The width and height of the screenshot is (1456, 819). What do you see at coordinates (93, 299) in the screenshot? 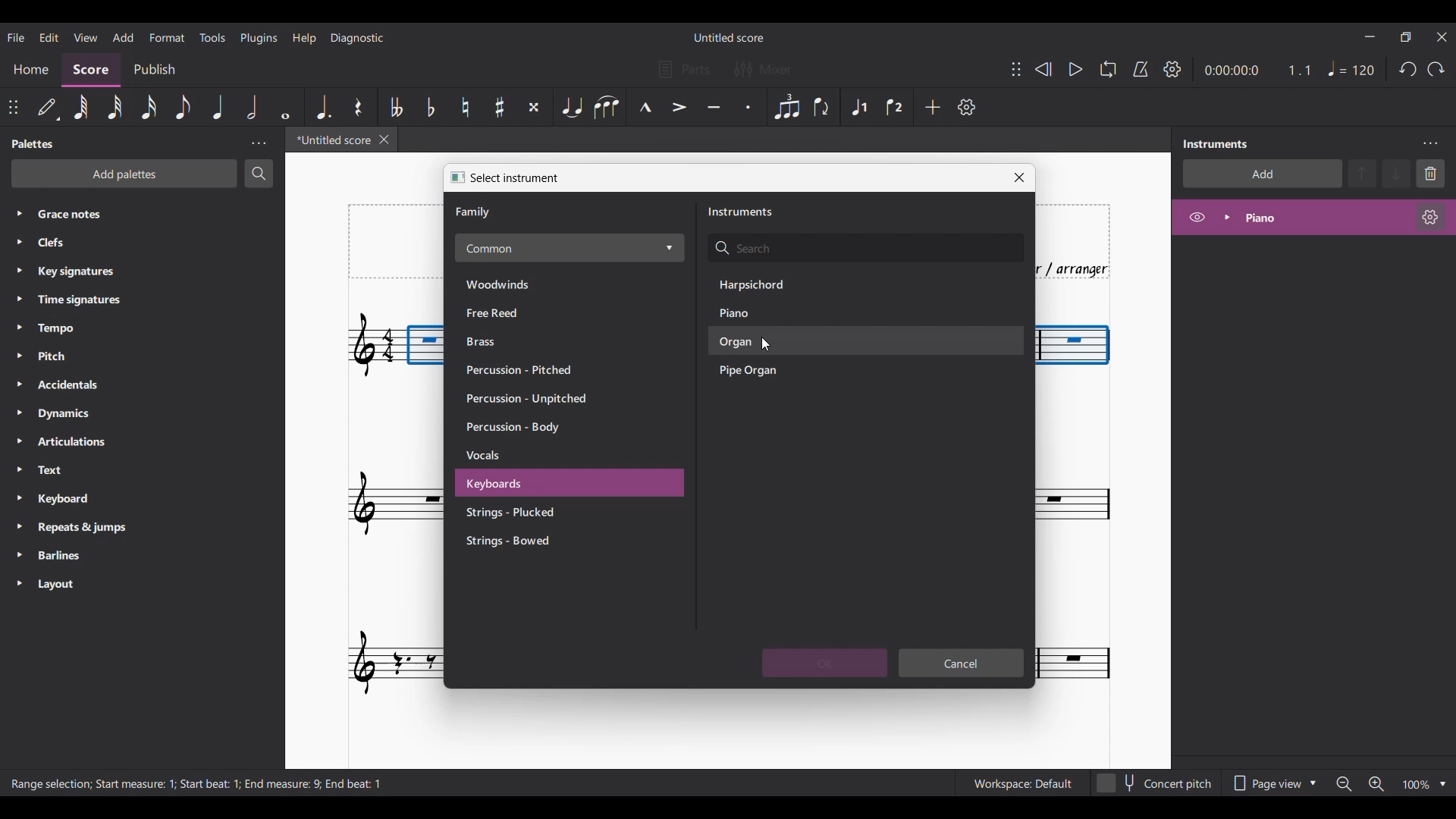
I see `Time signatures` at bounding box center [93, 299].